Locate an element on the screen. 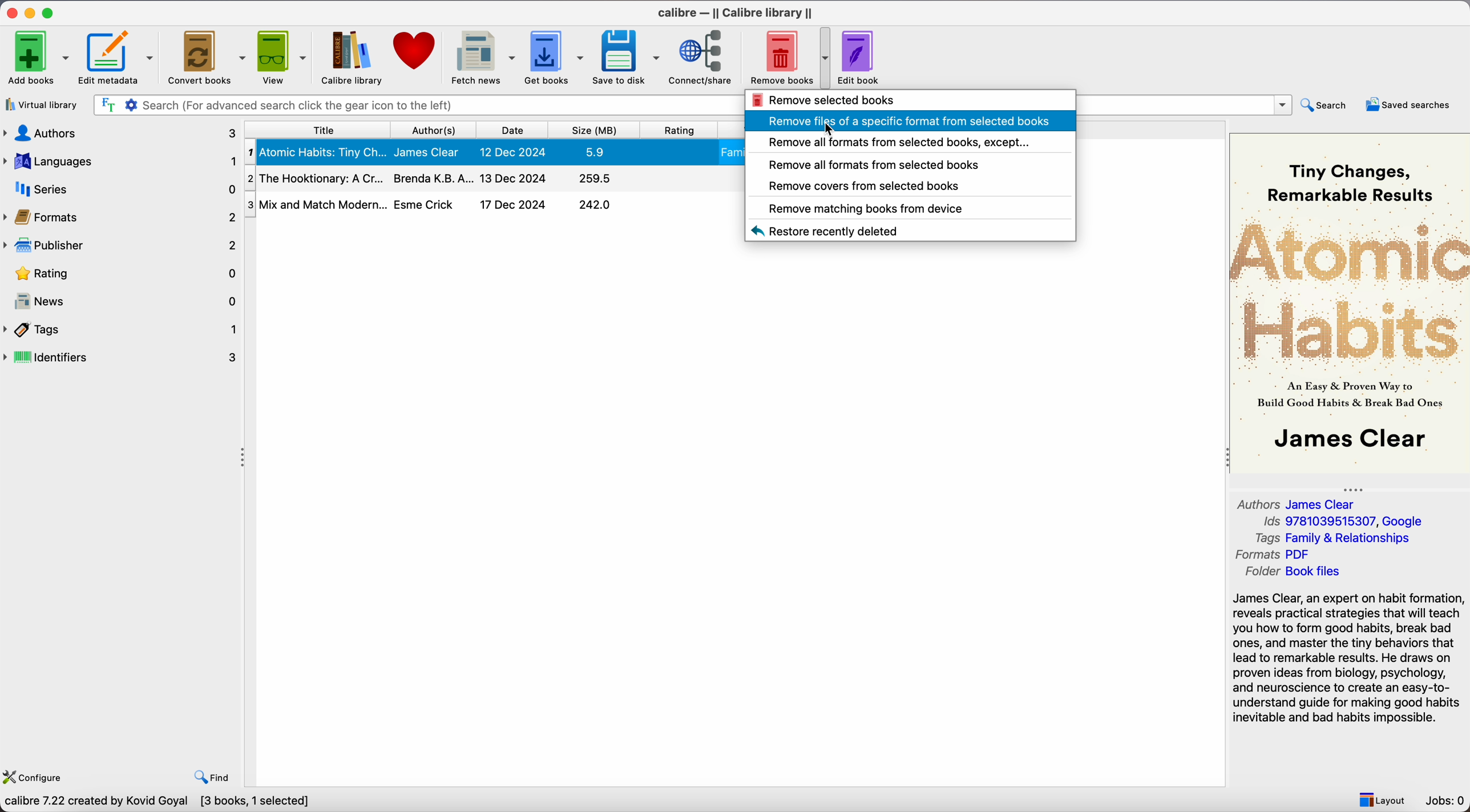 The width and height of the screenshot is (1470, 812). Calibre - || Calibre library || is located at coordinates (737, 13).